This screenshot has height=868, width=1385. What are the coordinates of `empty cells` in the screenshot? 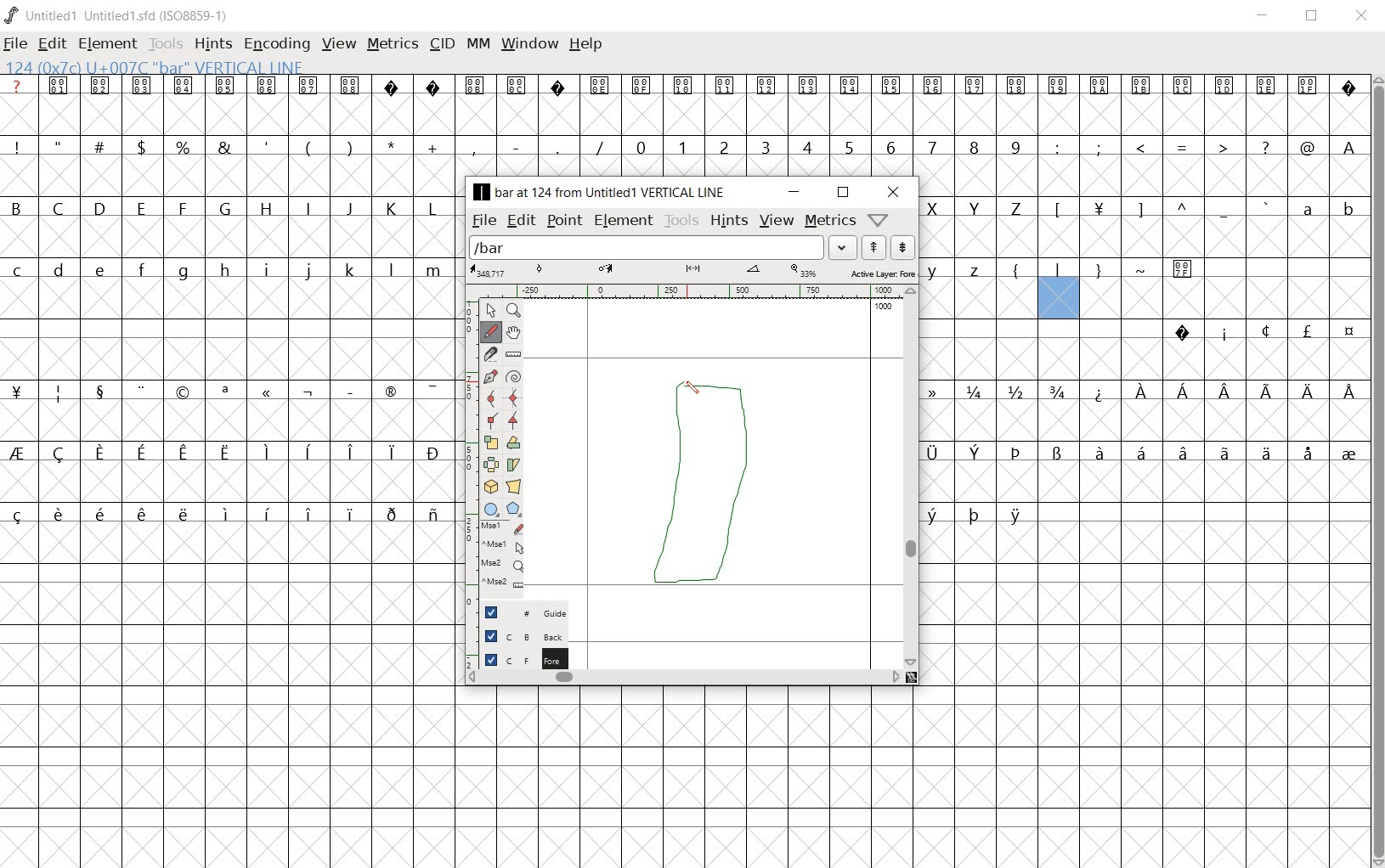 It's located at (1147, 300).